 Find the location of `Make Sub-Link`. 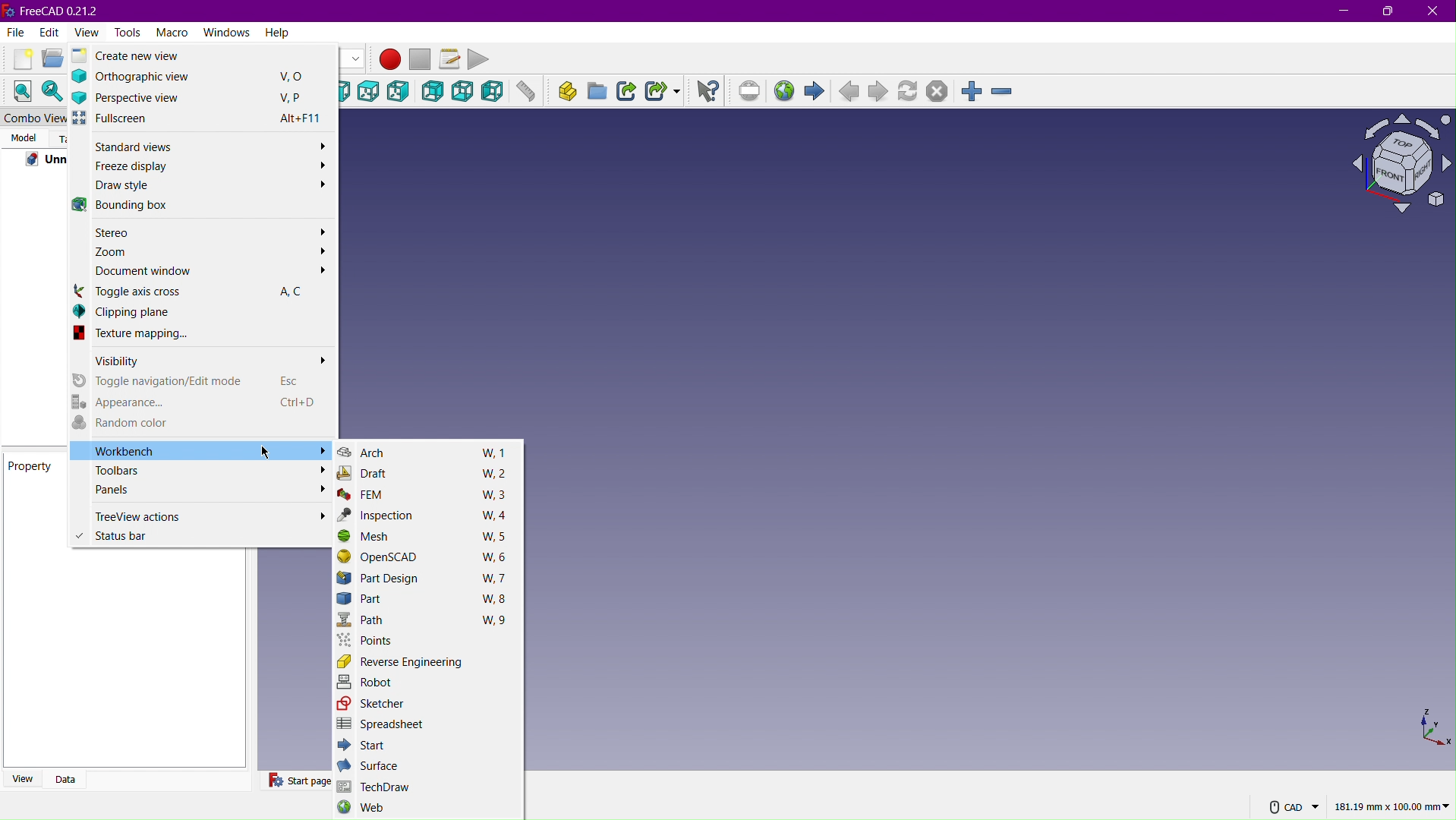

Make Sub-Link is located at coordinates (663, 94).